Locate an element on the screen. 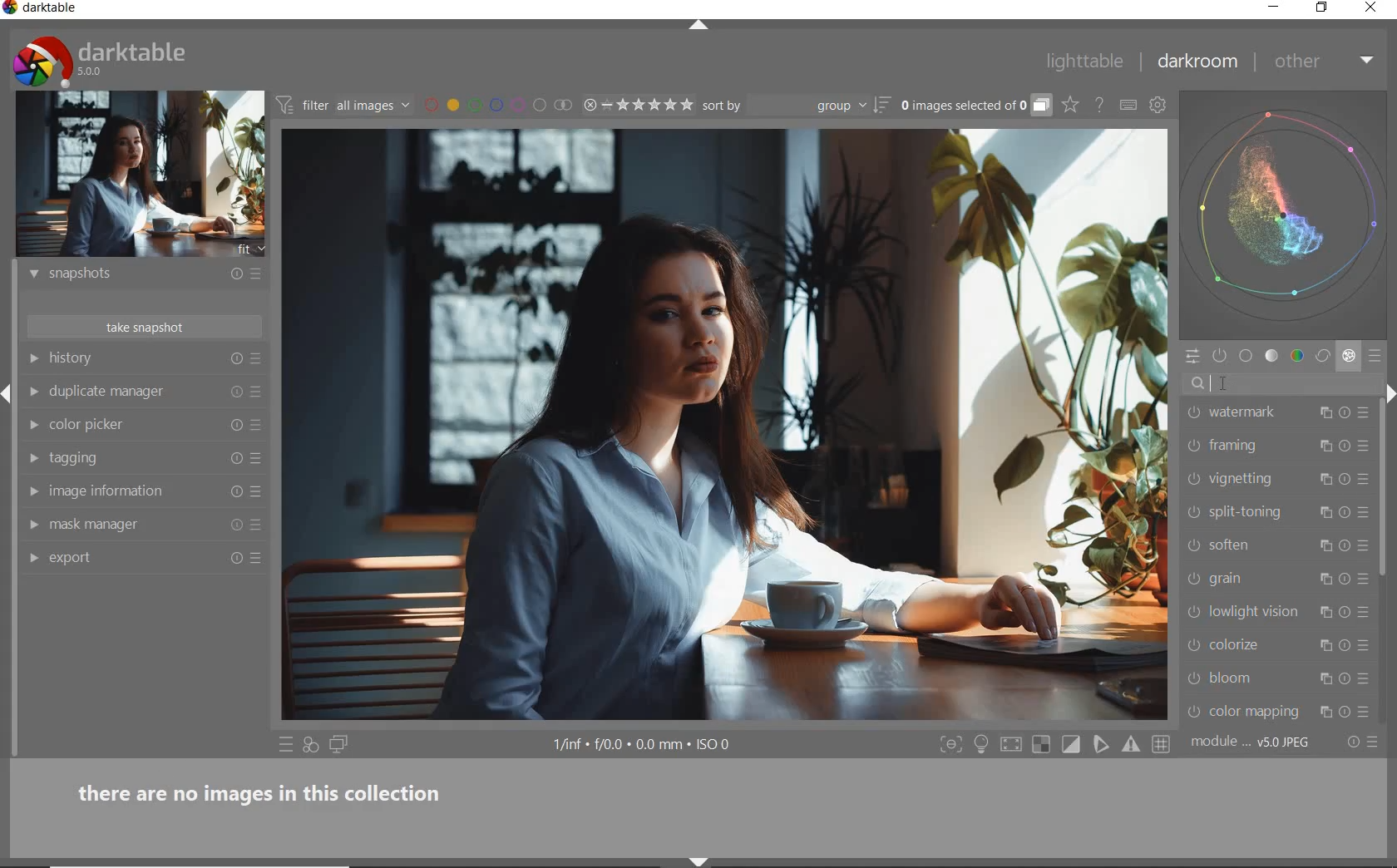  show only active modules is located at coordinates (1221, 357).